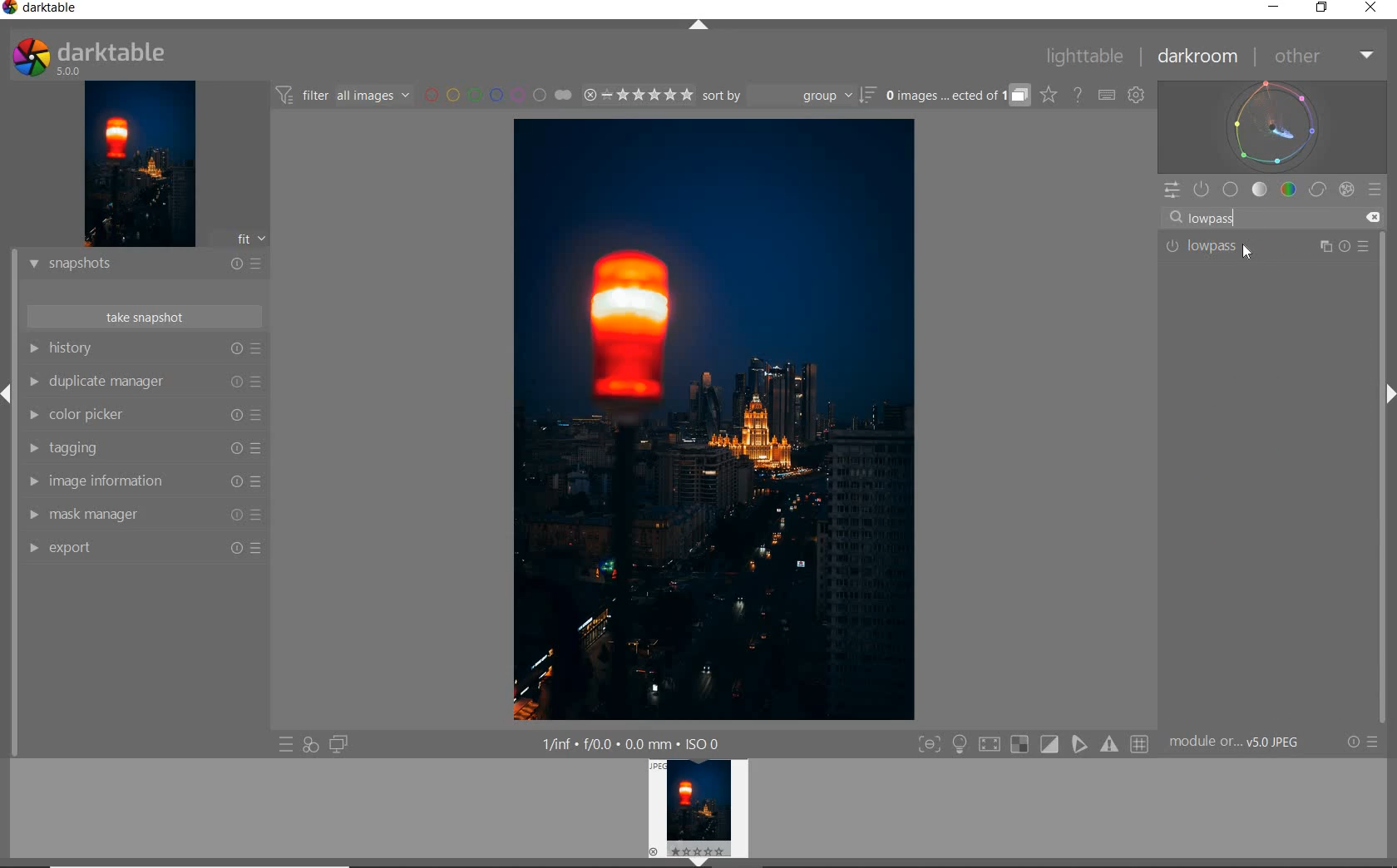 The image size is (1397, 868). I want to click on FILTER BY IMAGE COLOR LABEL, so click(498, 96).